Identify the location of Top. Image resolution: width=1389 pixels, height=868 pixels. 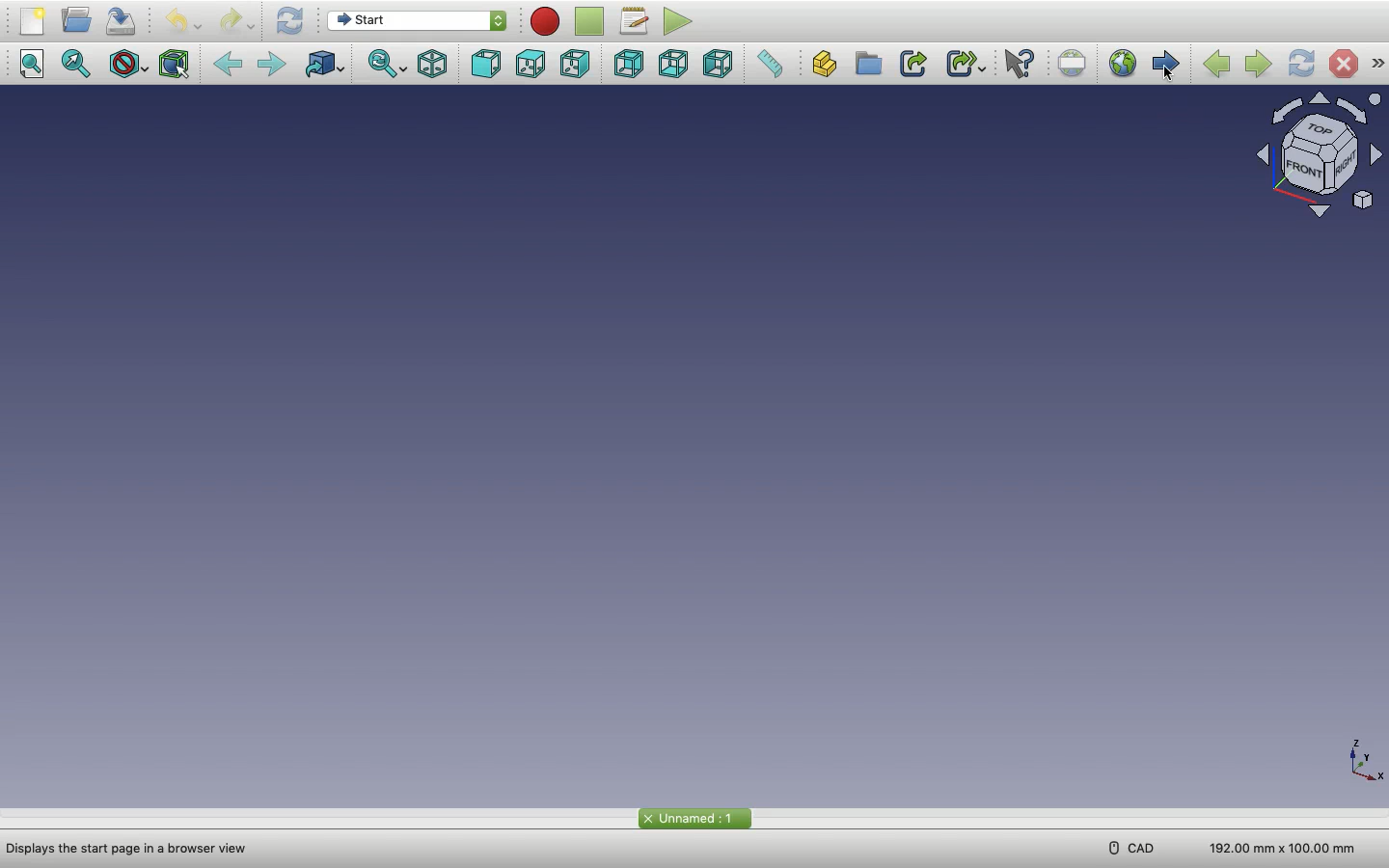
(531, 66).